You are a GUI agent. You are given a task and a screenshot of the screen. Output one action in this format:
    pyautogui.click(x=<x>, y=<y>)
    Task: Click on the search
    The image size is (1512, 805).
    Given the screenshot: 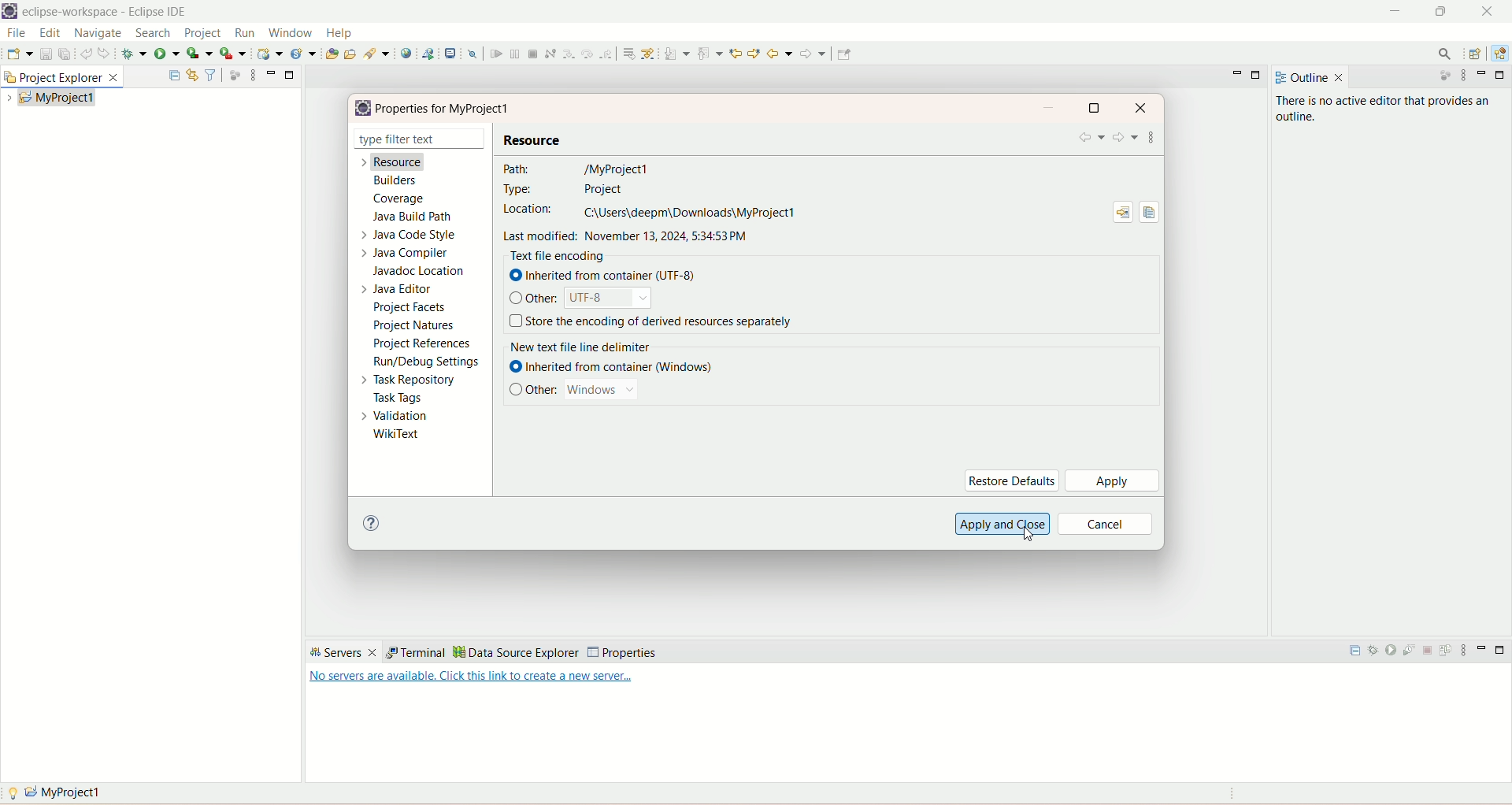 What is the action you would take?
    pyautogui.click(x=153, y=33)
    